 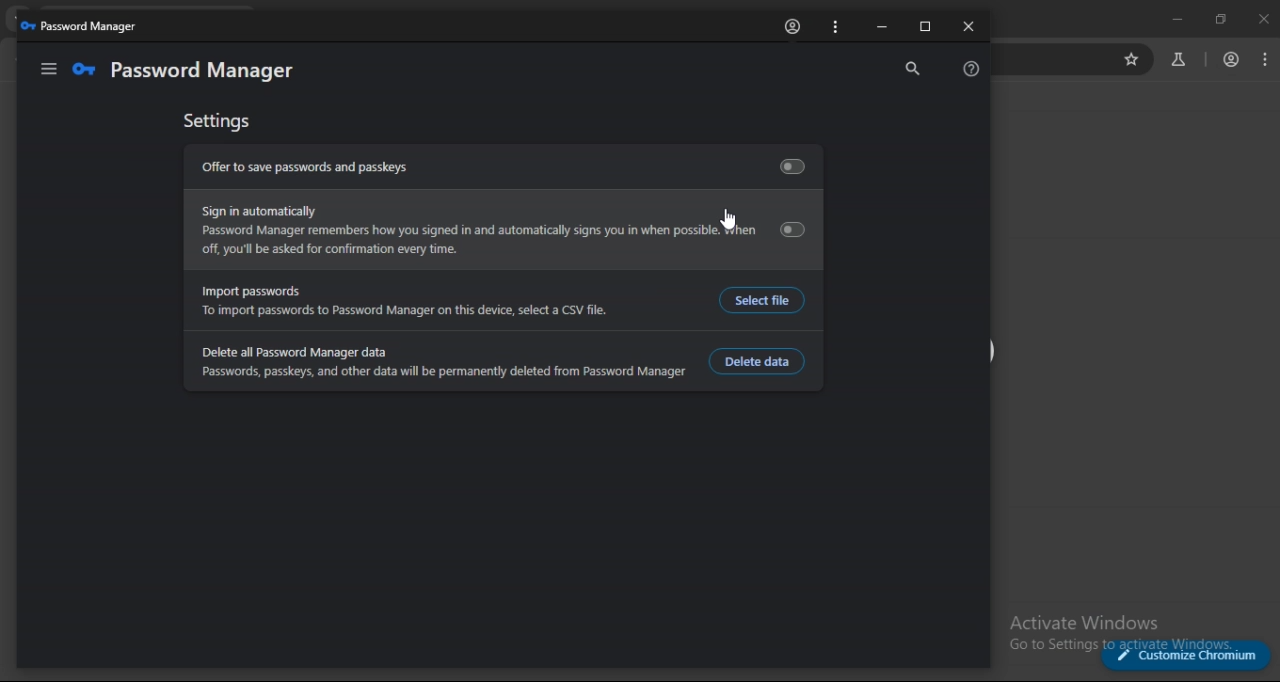 I want to click on help, so click(x=973, y=68).